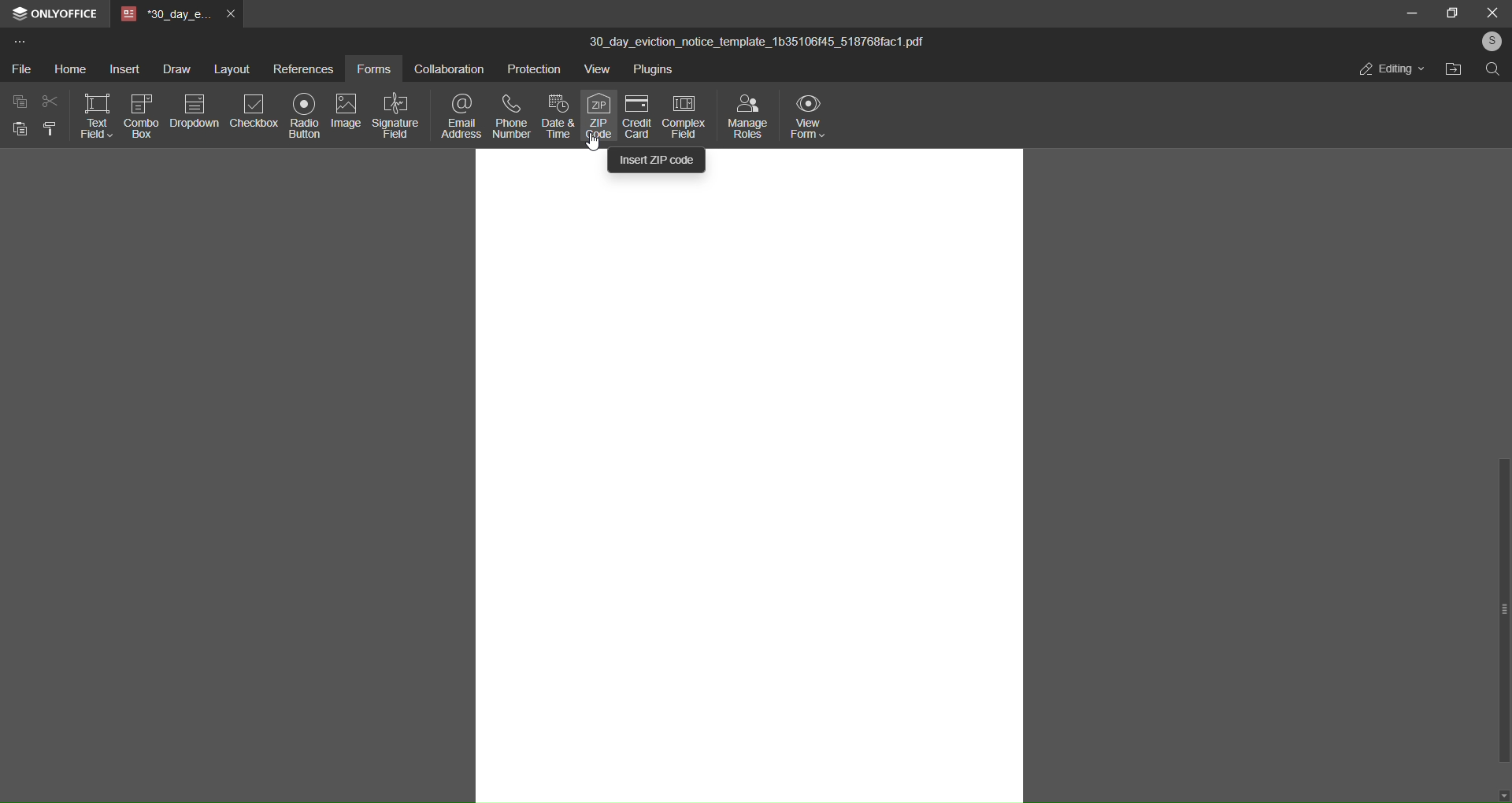 The image size is (1512, 803). I want to click on image, so click(343, 110).